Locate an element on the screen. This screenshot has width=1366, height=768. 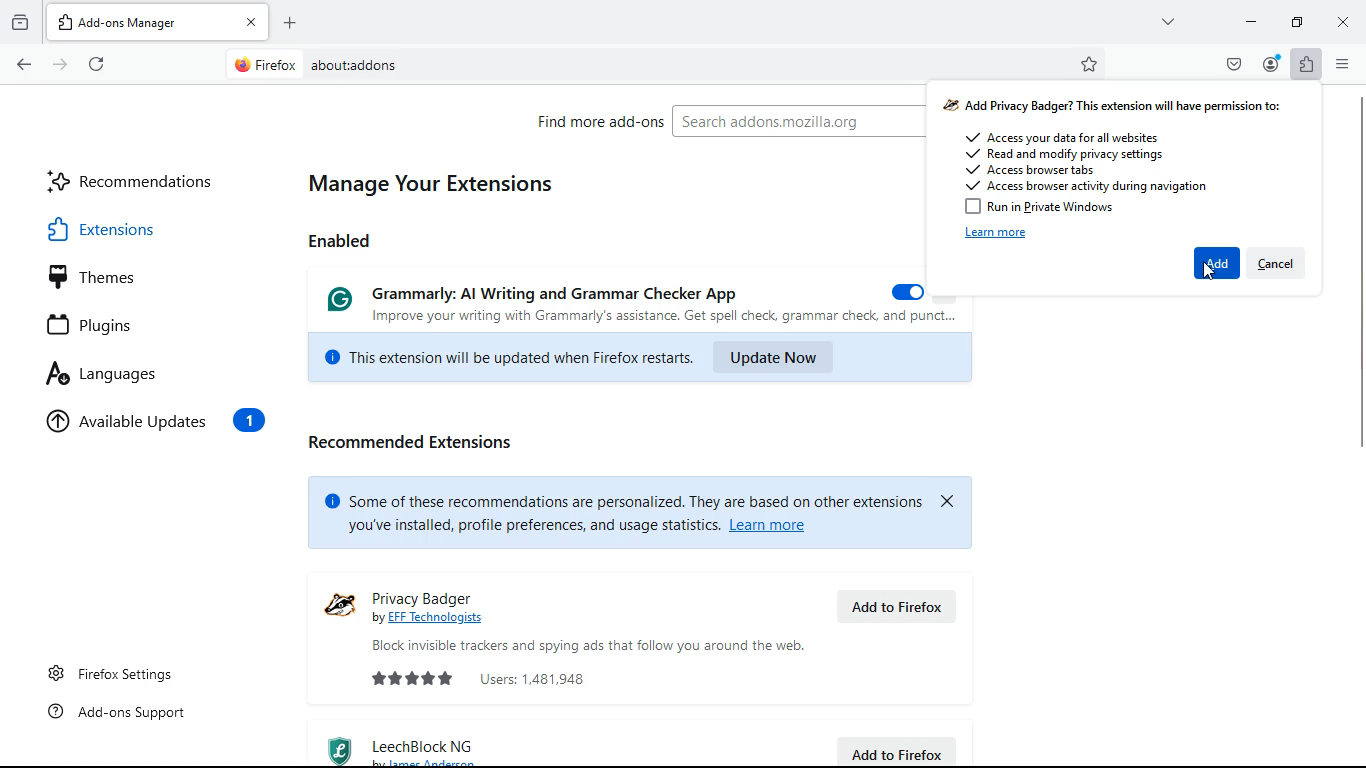
learn more is located at coordinates (995, 235).